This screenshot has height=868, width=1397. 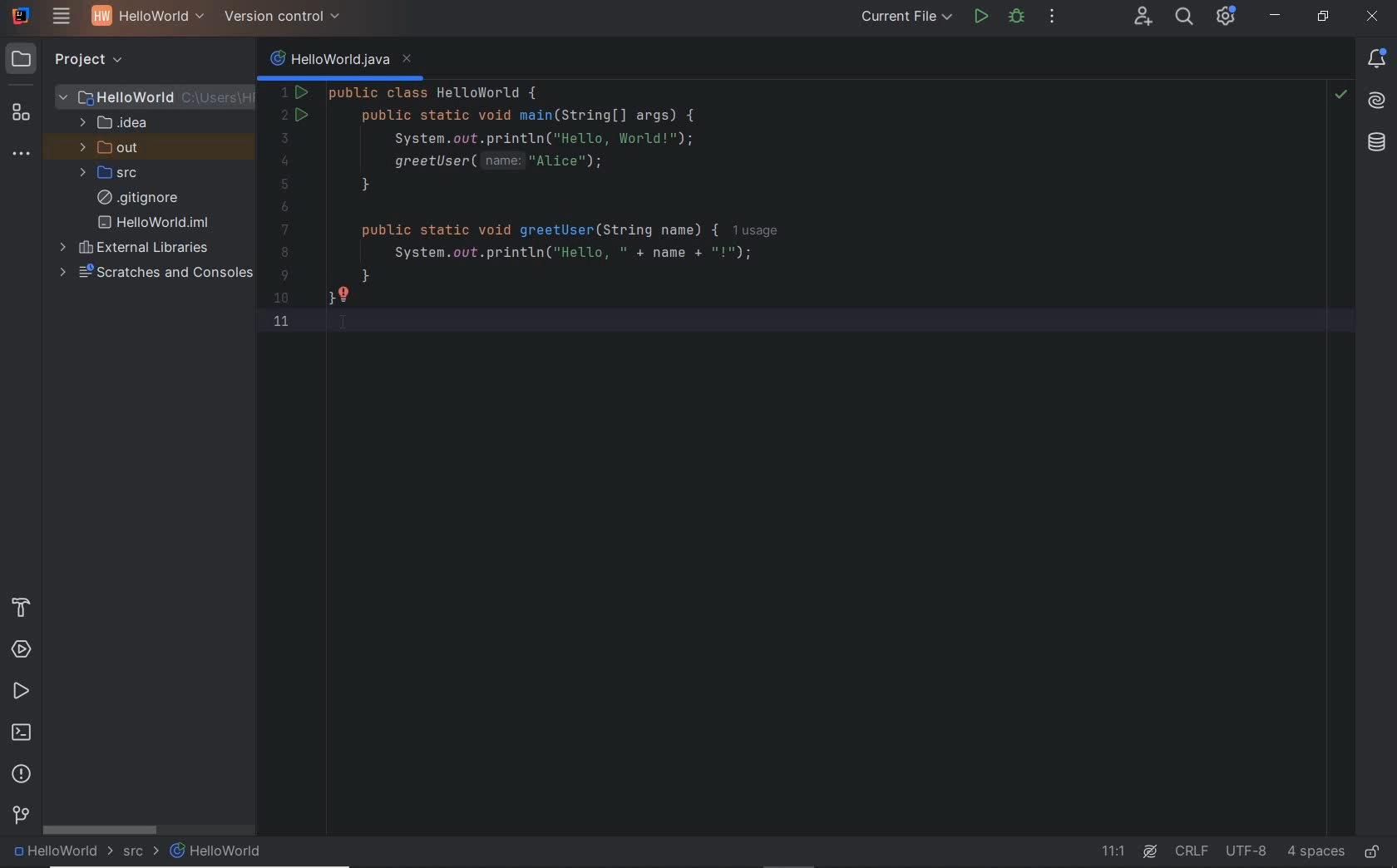 I want to click on src (folder), so click(x=111, y=173).